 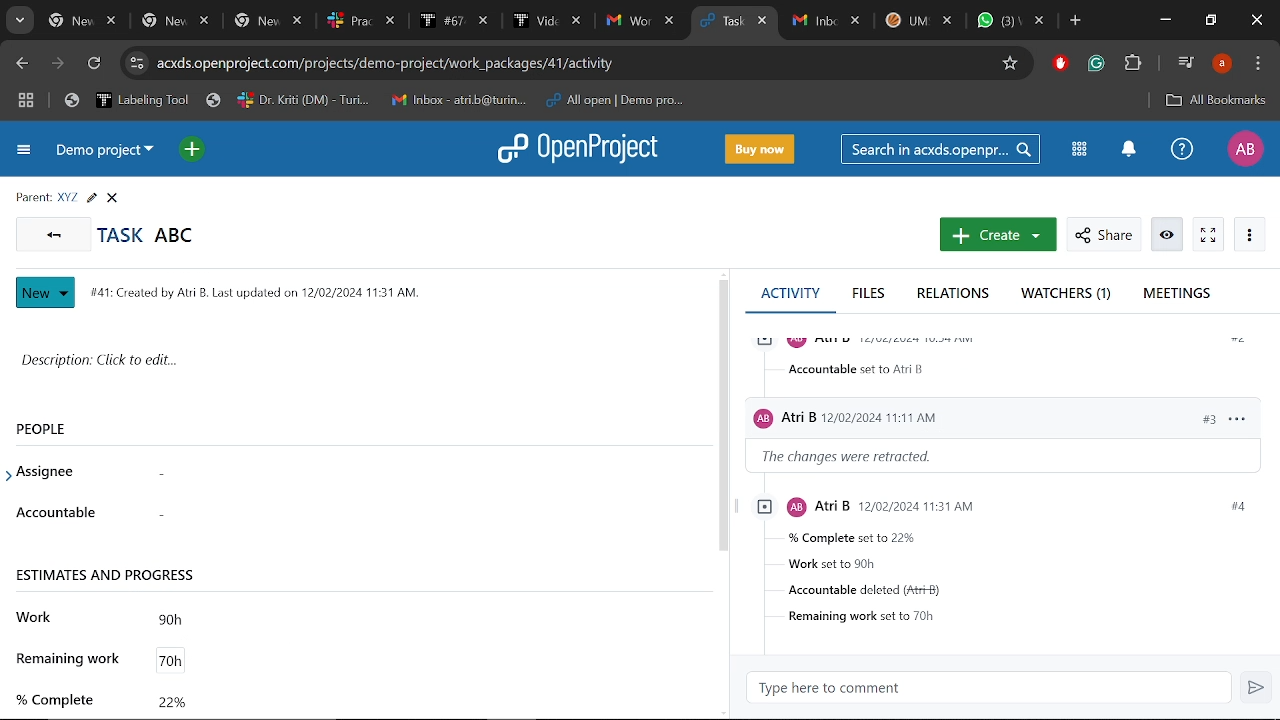 What do you see at coordinates (21, 63) in the screenshot?
I see `Previous page` at bounding box center [21, 63].